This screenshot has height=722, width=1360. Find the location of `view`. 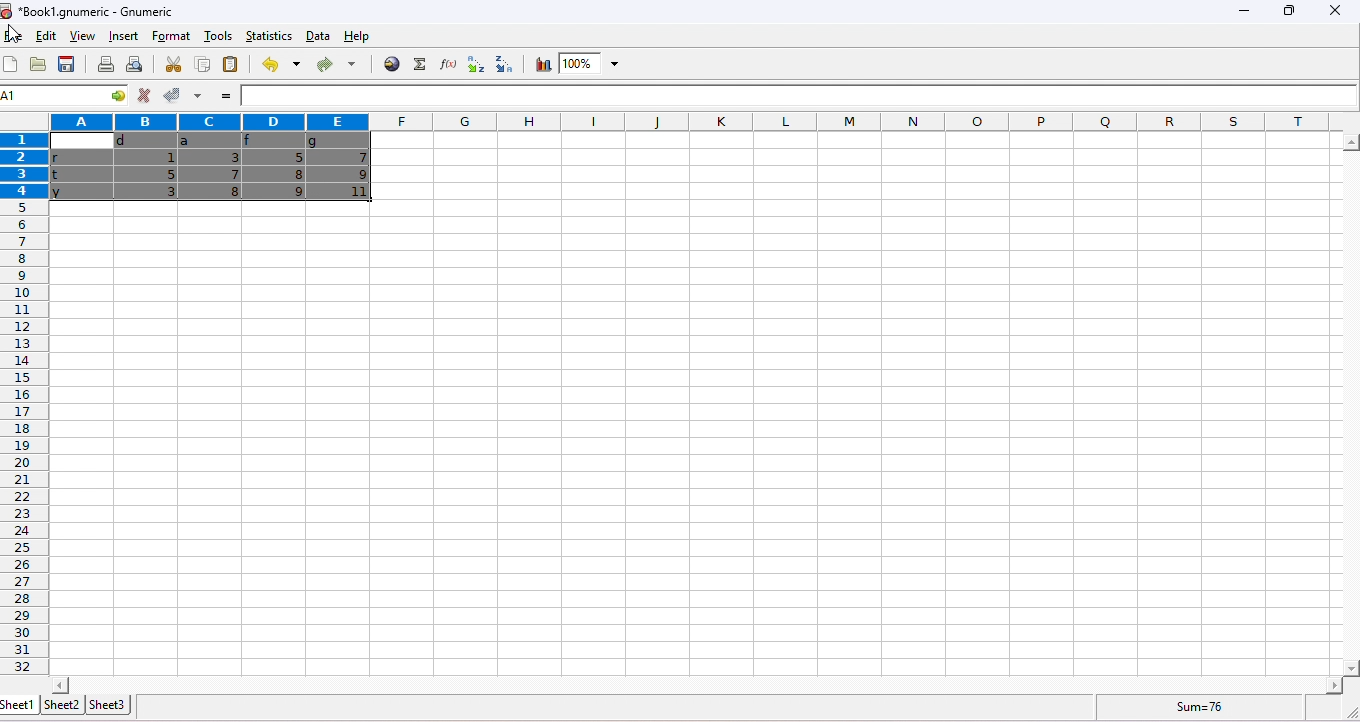

view is located at coordinates (80, 38).